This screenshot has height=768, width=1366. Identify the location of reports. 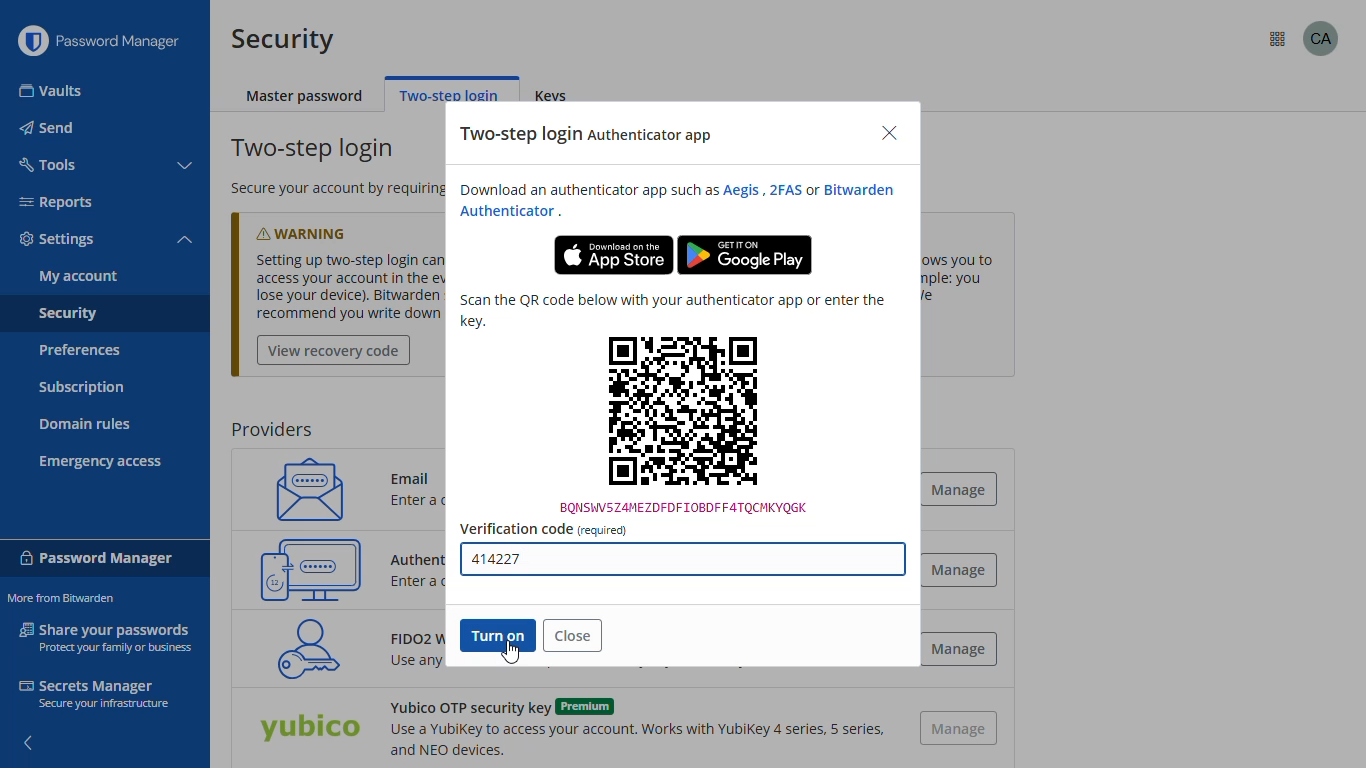
(56, 202).